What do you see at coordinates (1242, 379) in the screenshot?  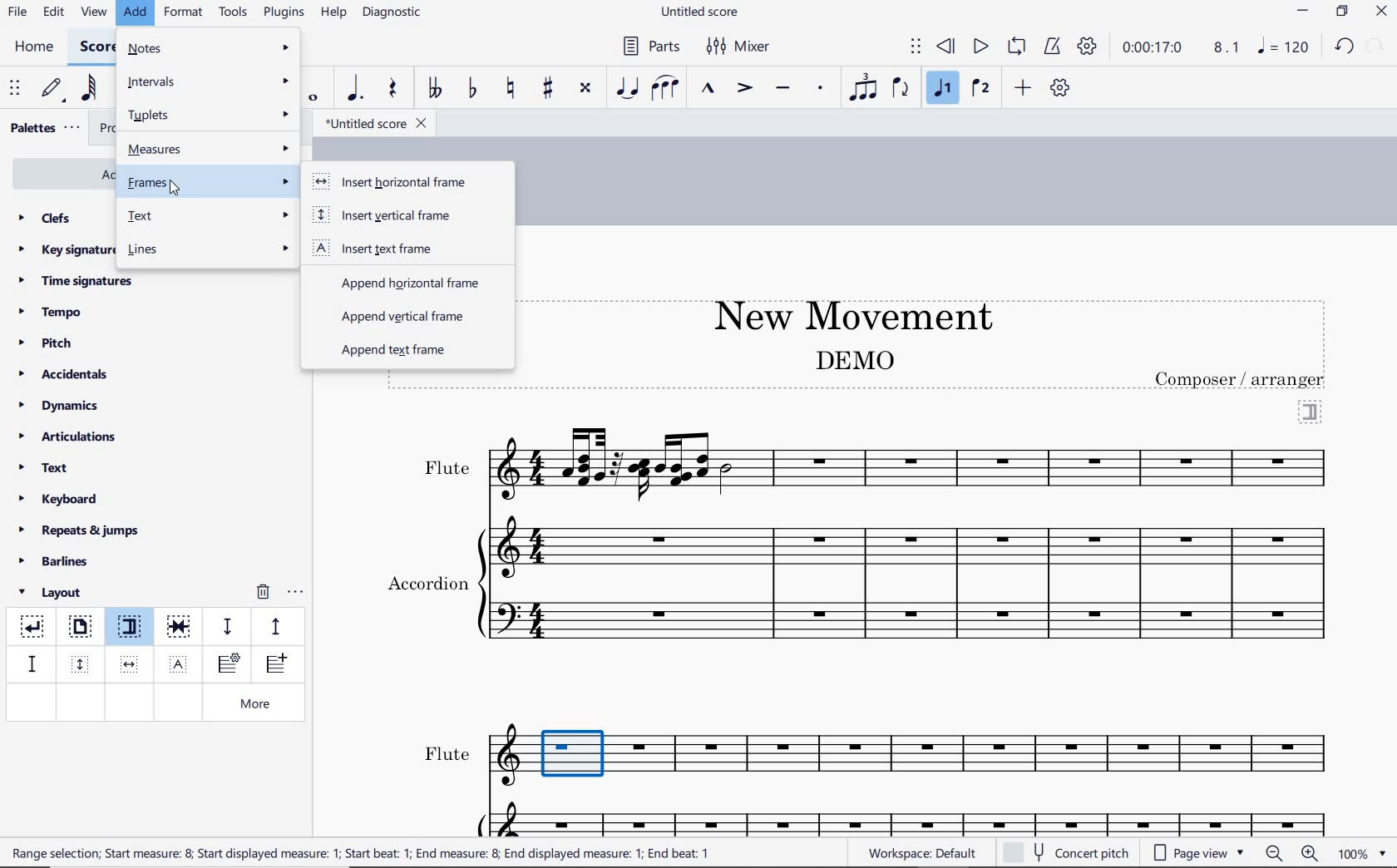 I see `text` at bounding box center [1242, 379].